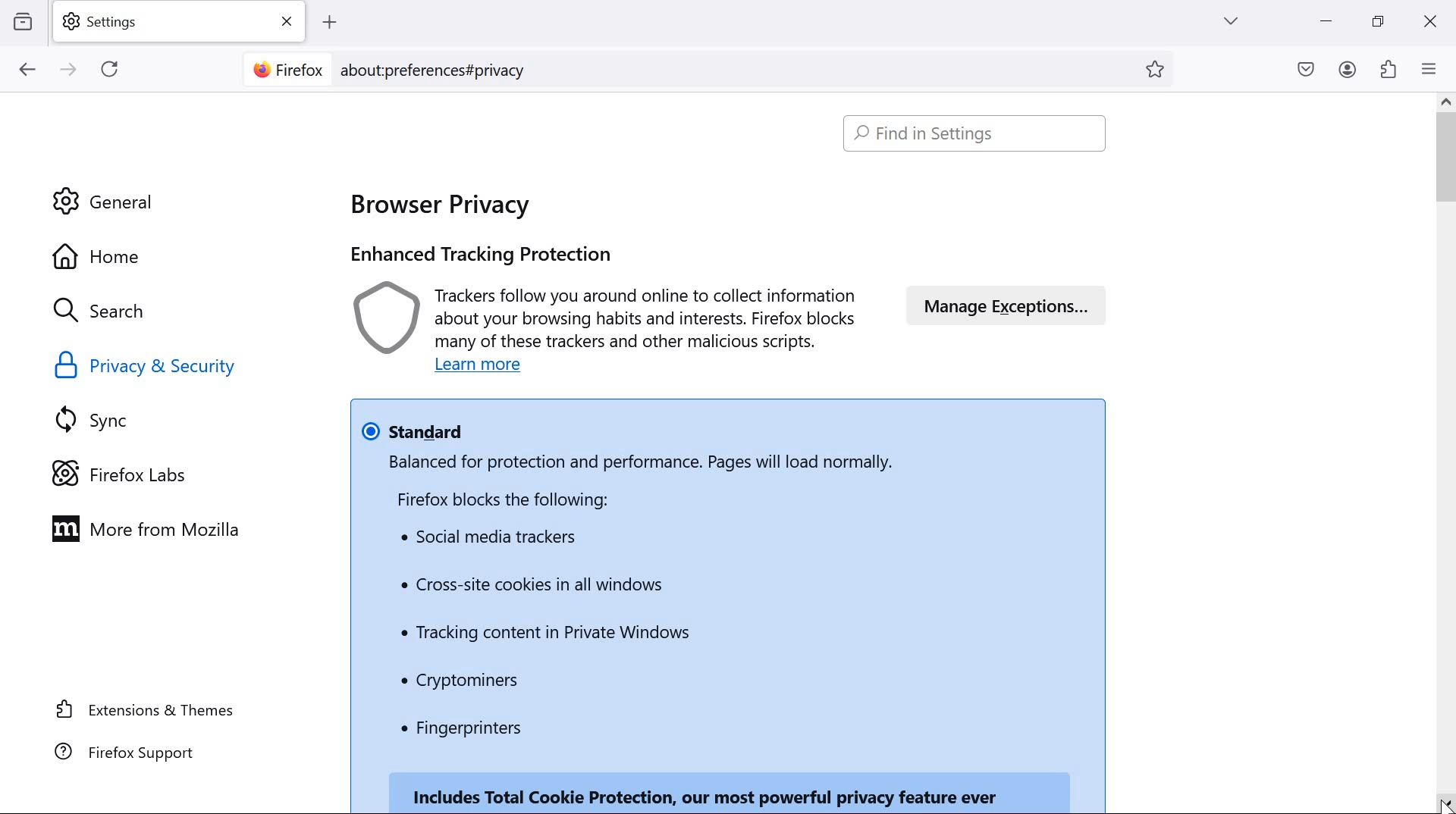  What do you see at coordinates (71, 70) in the screenshot?
I see `go forward one page` at bounding box center [71, 70].